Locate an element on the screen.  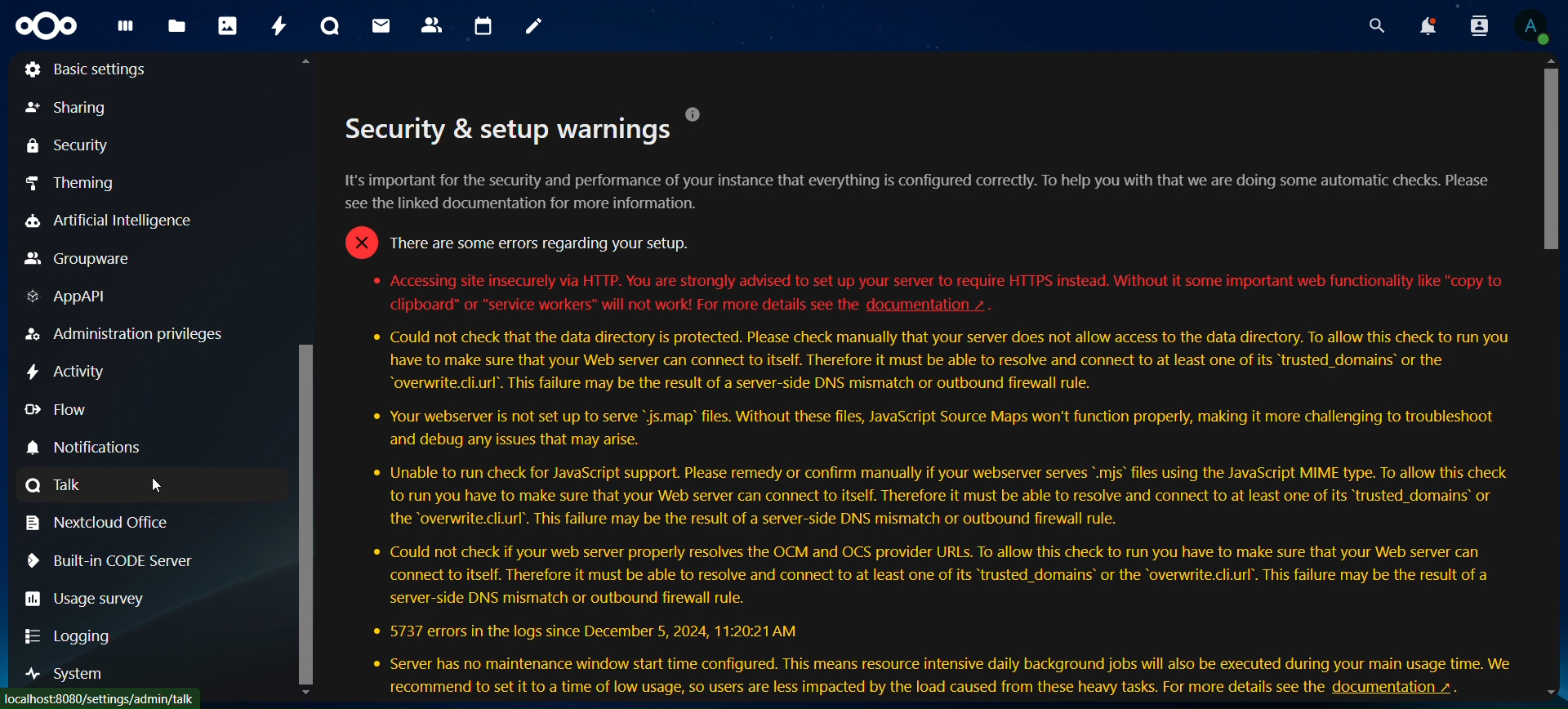
activity is located at coordinates (67, 372).